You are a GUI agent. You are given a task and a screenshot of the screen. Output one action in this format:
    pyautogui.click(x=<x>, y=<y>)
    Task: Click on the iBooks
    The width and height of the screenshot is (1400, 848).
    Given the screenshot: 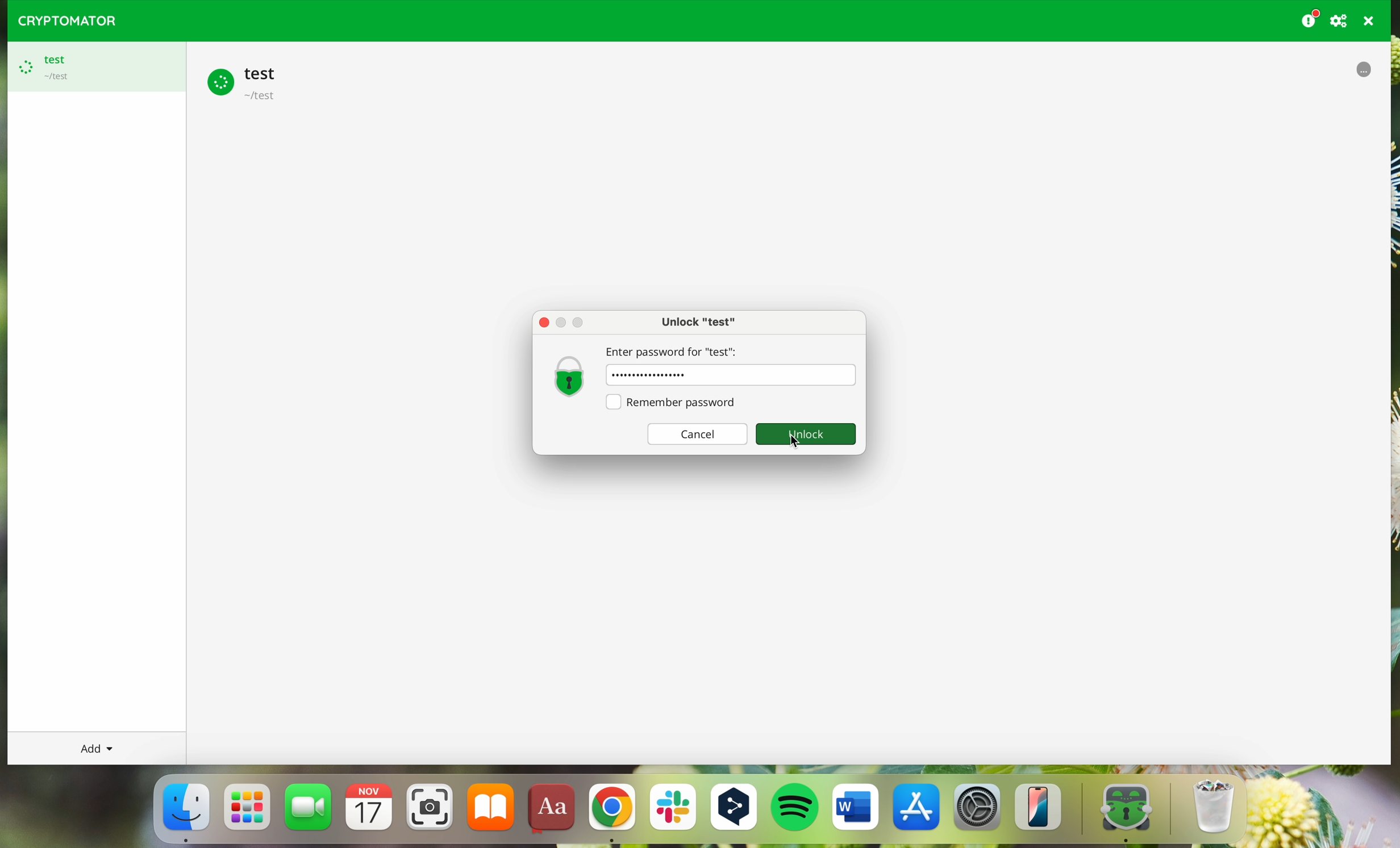 What is the action you would take?
    pyautogui.click(x=491, y=811)
    